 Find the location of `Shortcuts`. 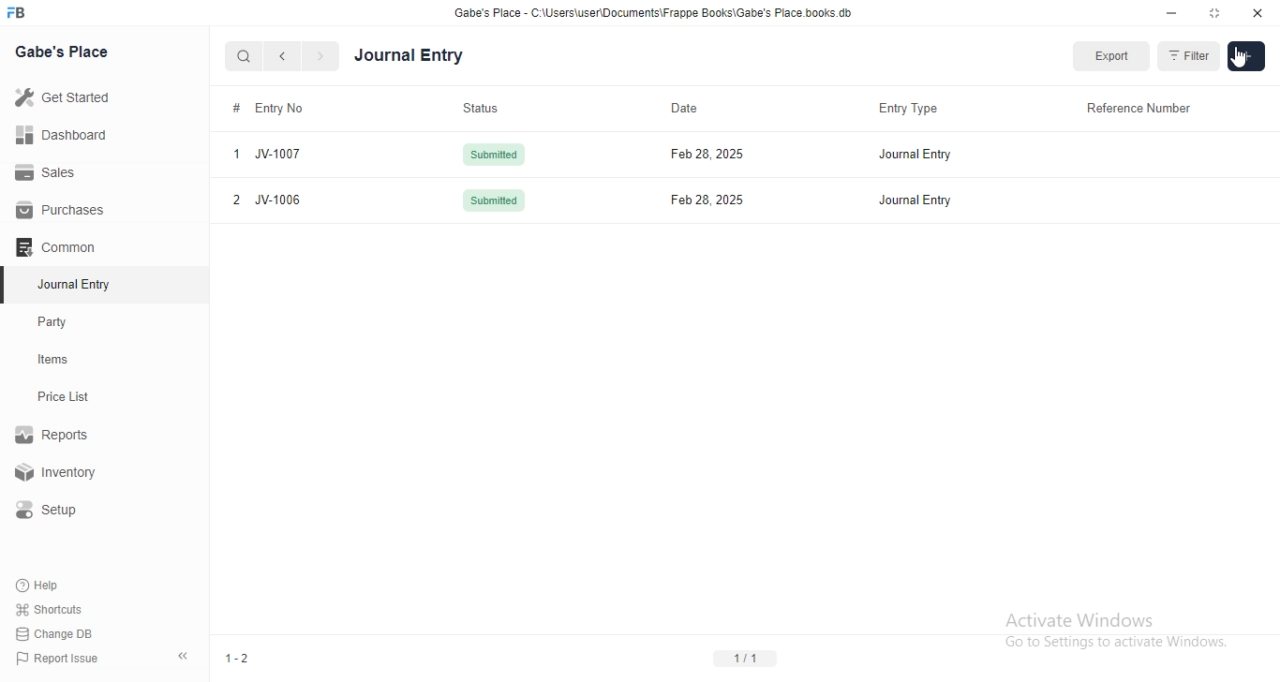

Shortcuts is located at coordinates (49, 608).